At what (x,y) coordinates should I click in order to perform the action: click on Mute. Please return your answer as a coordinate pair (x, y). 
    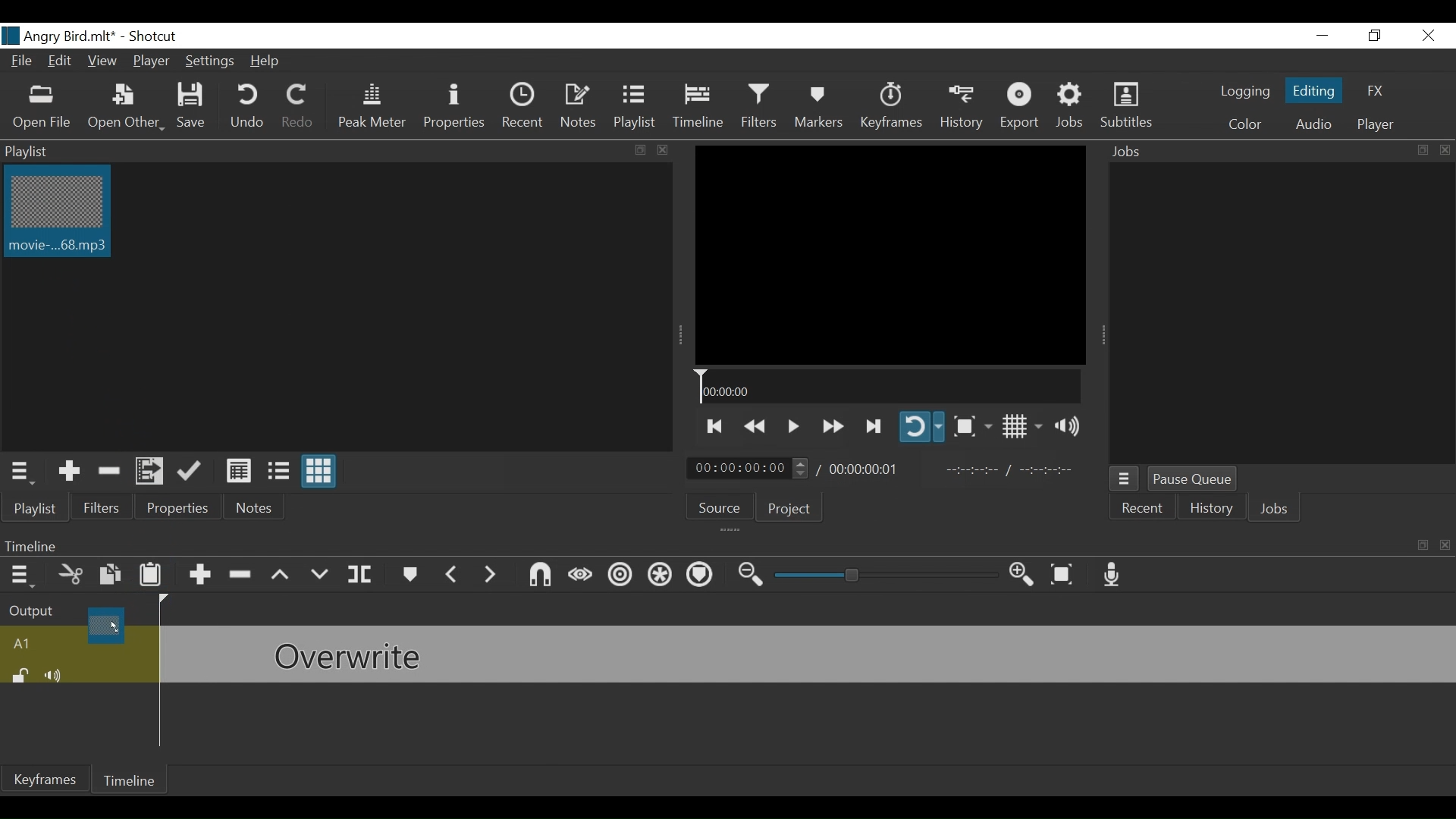
    Looking at the image, I should click on (56, 674).